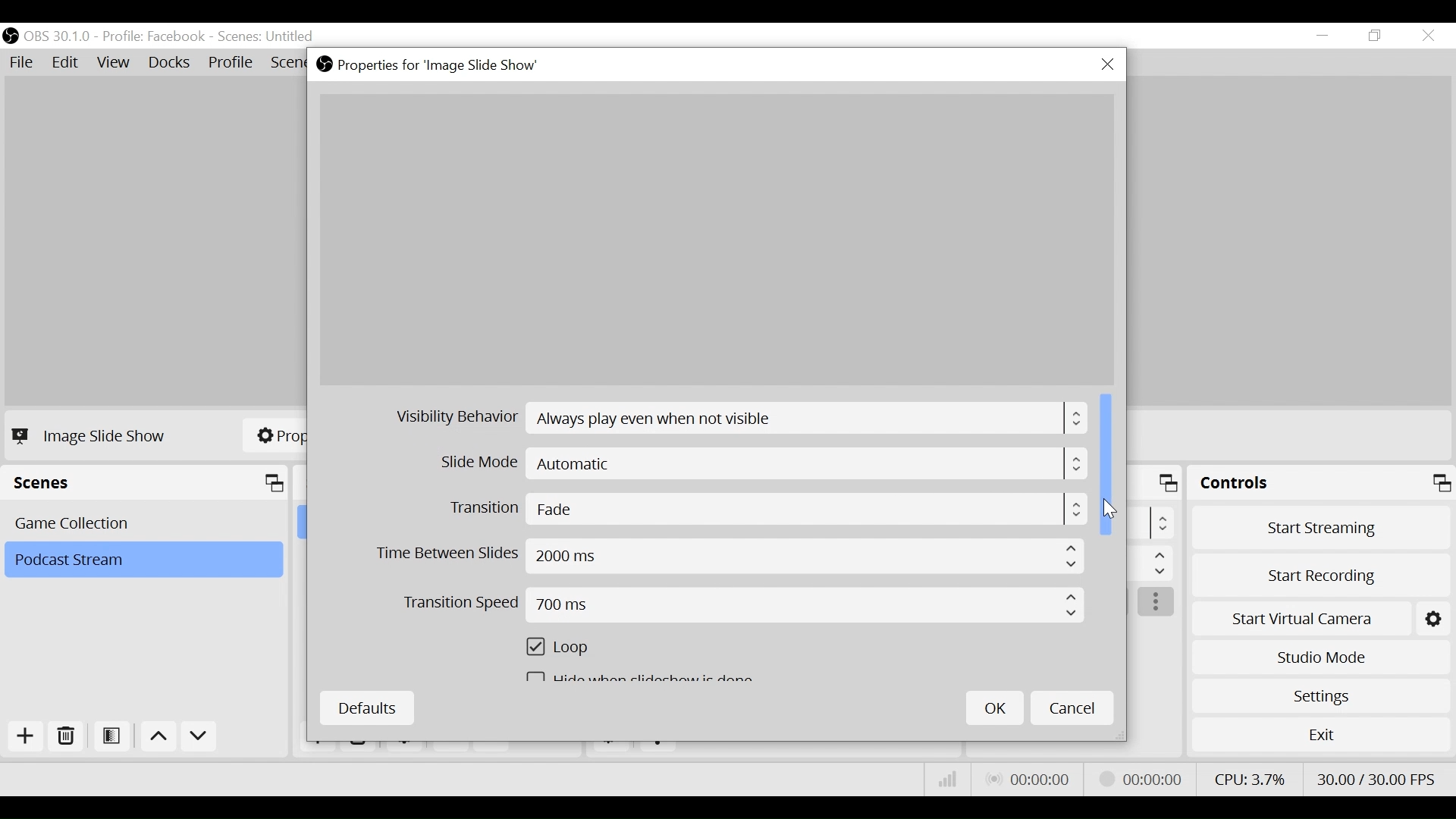 Image resolution: width=1456 pixels, height=819 pixels. Describe the element at coordinates (1027, 780) in the screenshot. I see `Live Status` at that location.